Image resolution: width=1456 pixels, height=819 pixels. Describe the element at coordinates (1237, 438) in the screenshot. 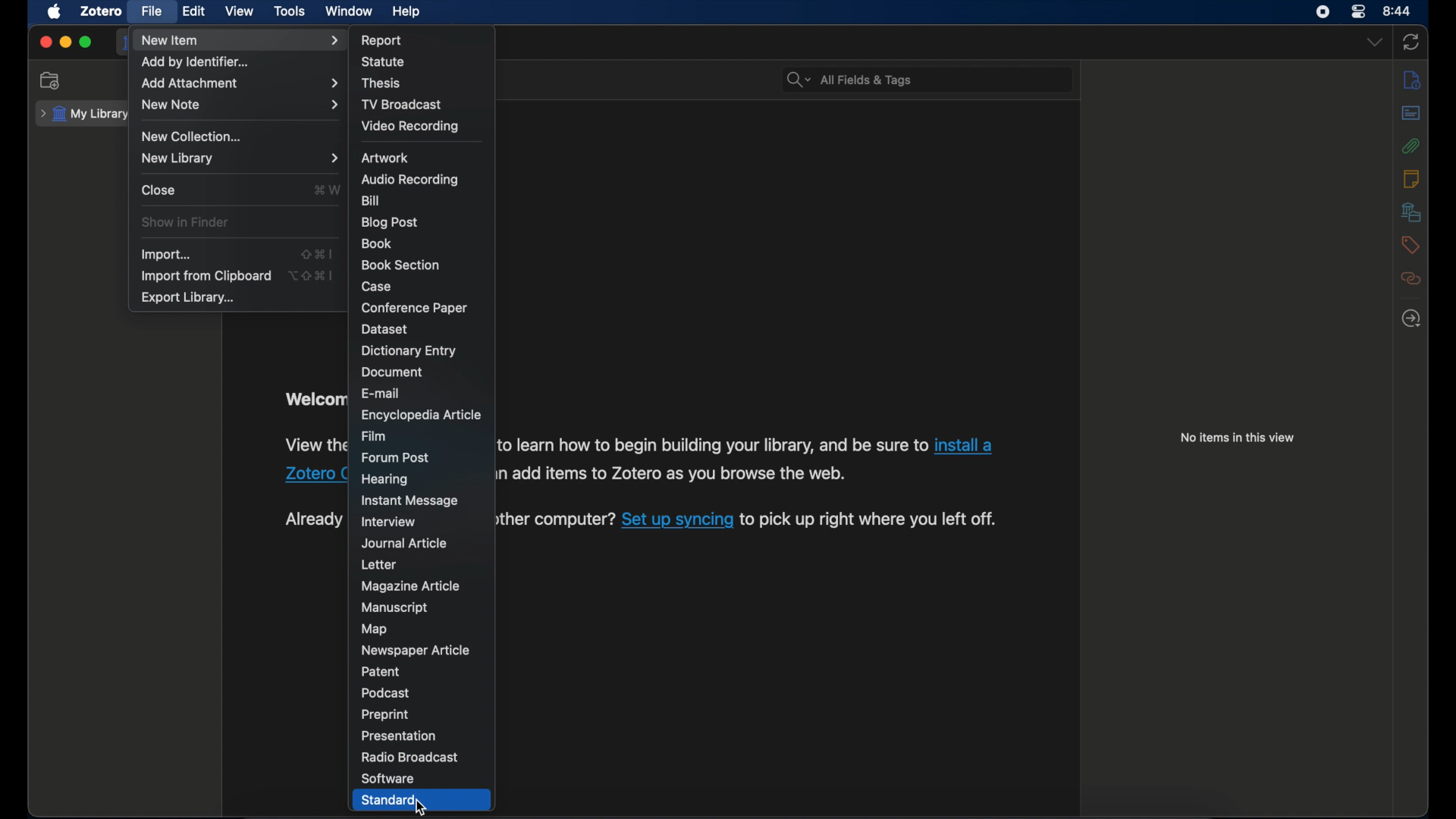

I see `no items in this view` at that location.